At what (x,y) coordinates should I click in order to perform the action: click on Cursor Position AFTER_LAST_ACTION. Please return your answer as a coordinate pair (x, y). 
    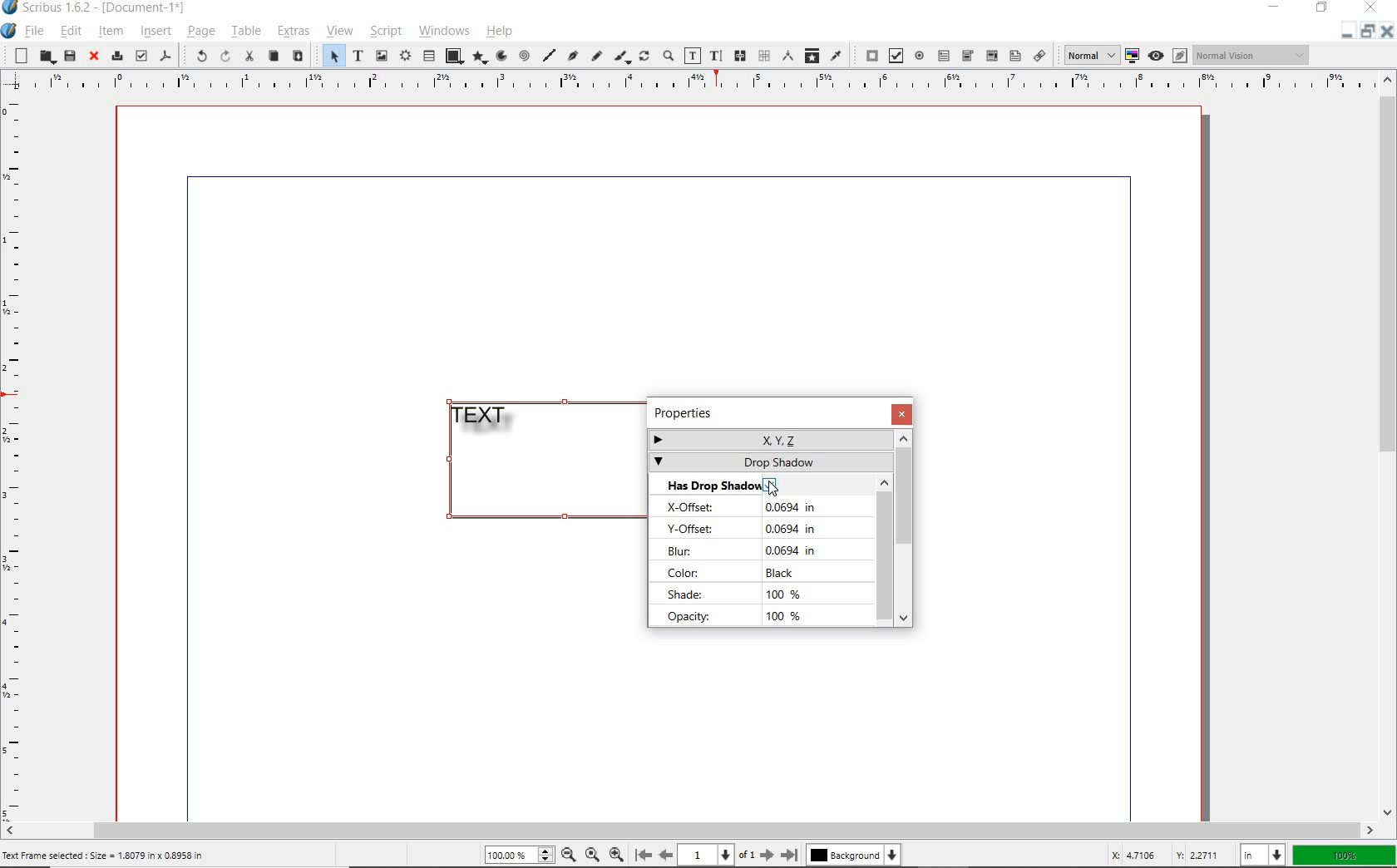
    Looking at the image, I should click on (773, 485).